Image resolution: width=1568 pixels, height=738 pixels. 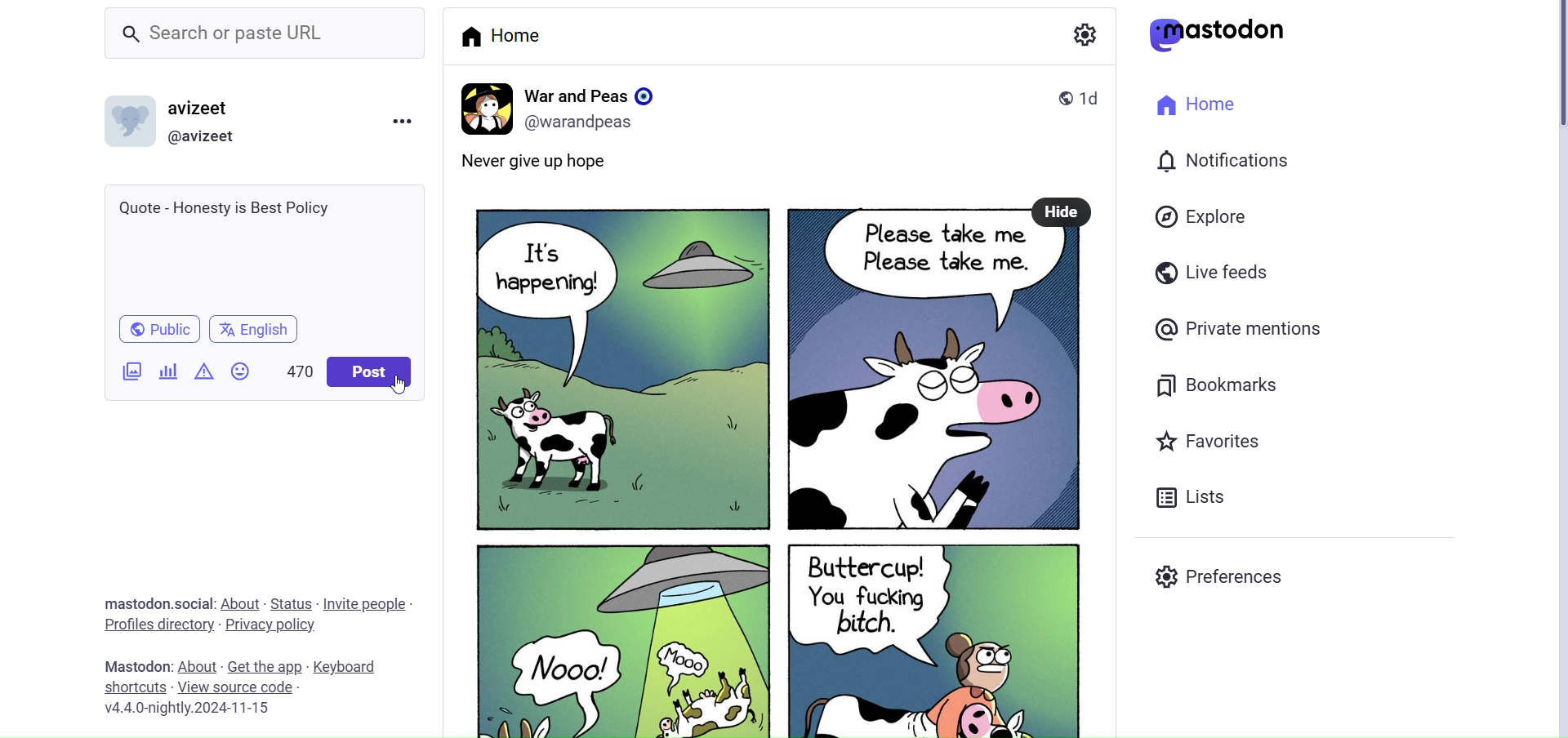 What do you see at coordinates (1240, 328) in the screenshot?
I see `Private Mentions` at bounding box center [1240, 328].